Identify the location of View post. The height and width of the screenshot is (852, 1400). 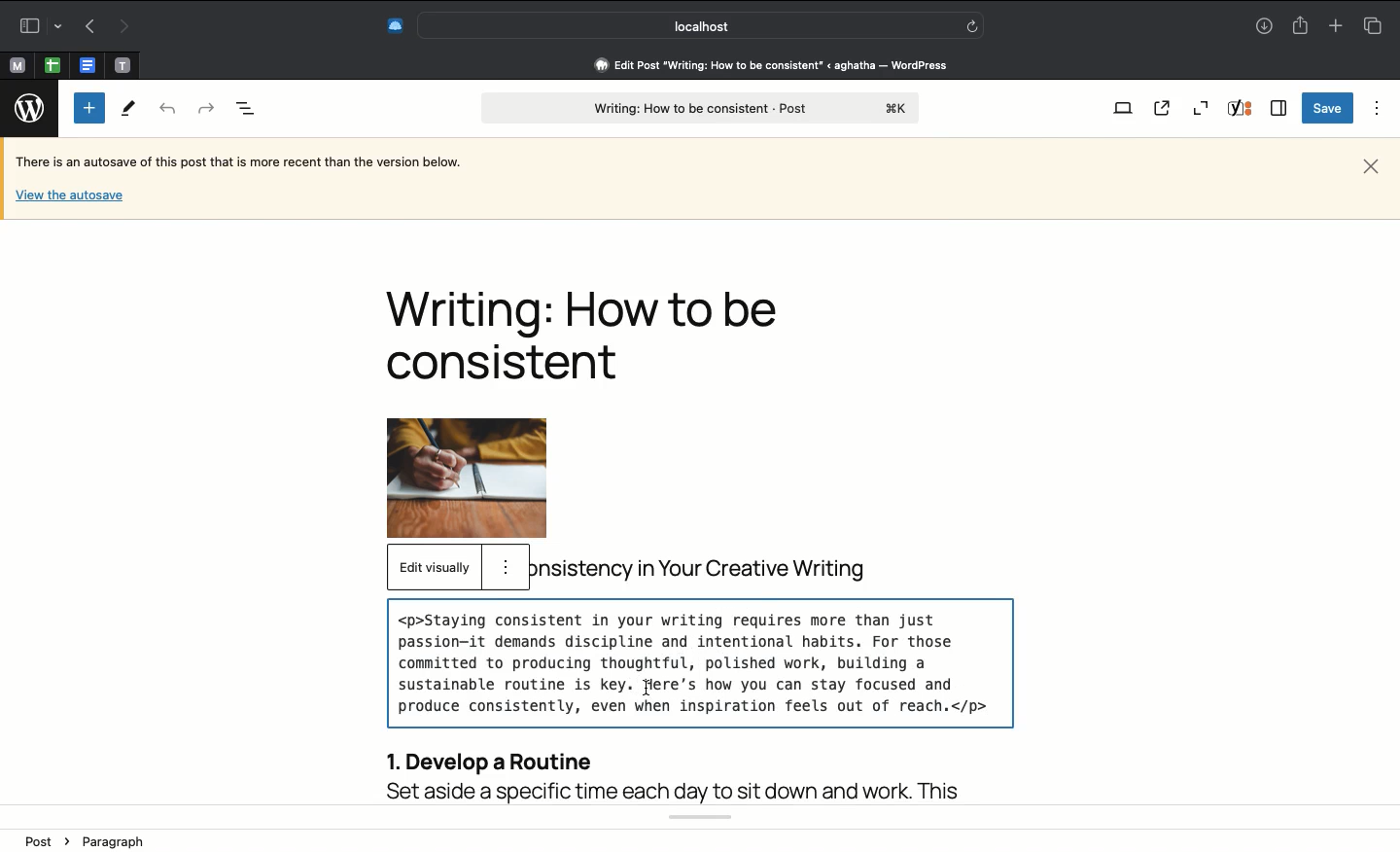
(1166, 109).